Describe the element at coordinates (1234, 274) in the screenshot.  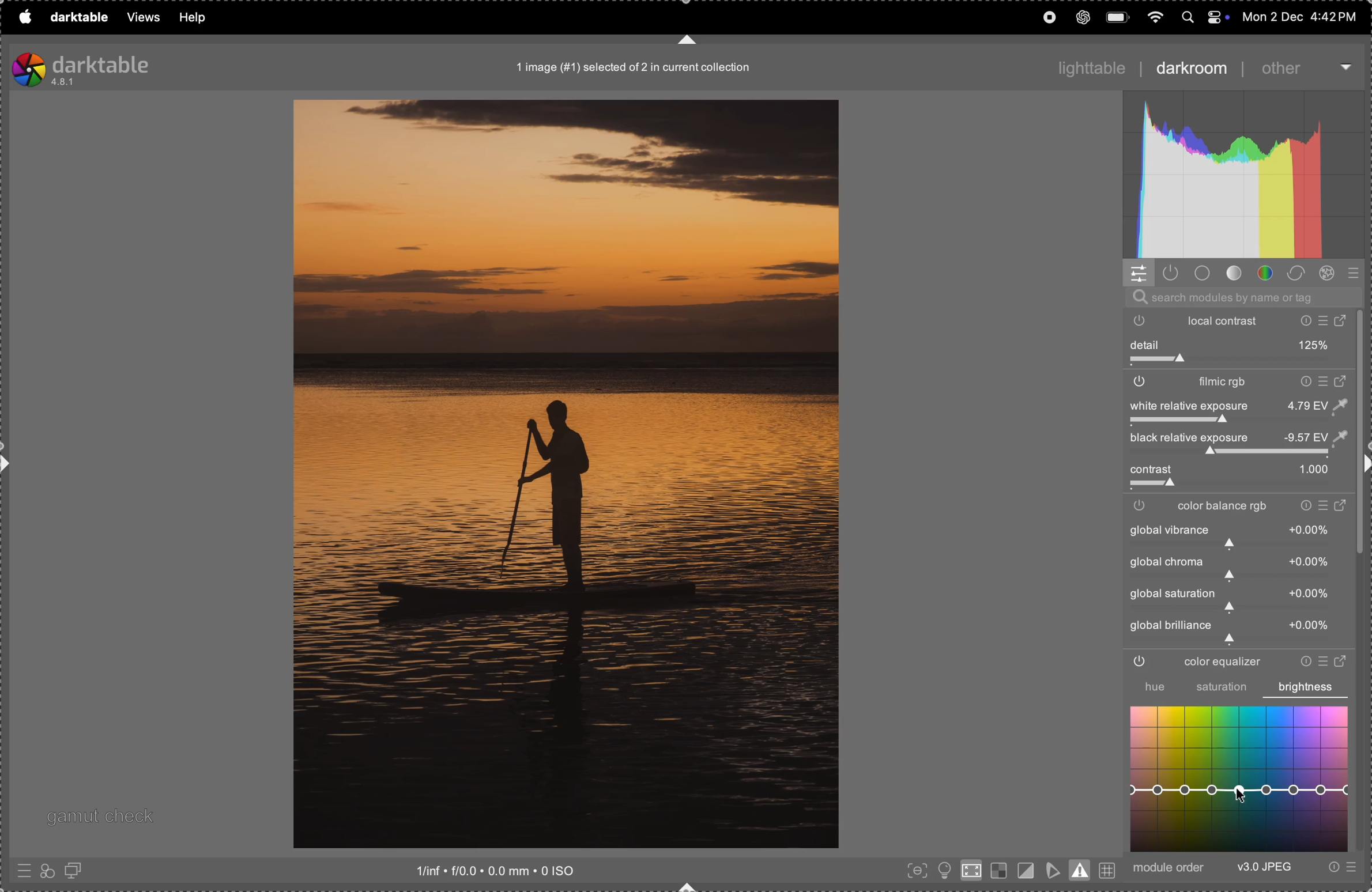
I see `tone` at that location.